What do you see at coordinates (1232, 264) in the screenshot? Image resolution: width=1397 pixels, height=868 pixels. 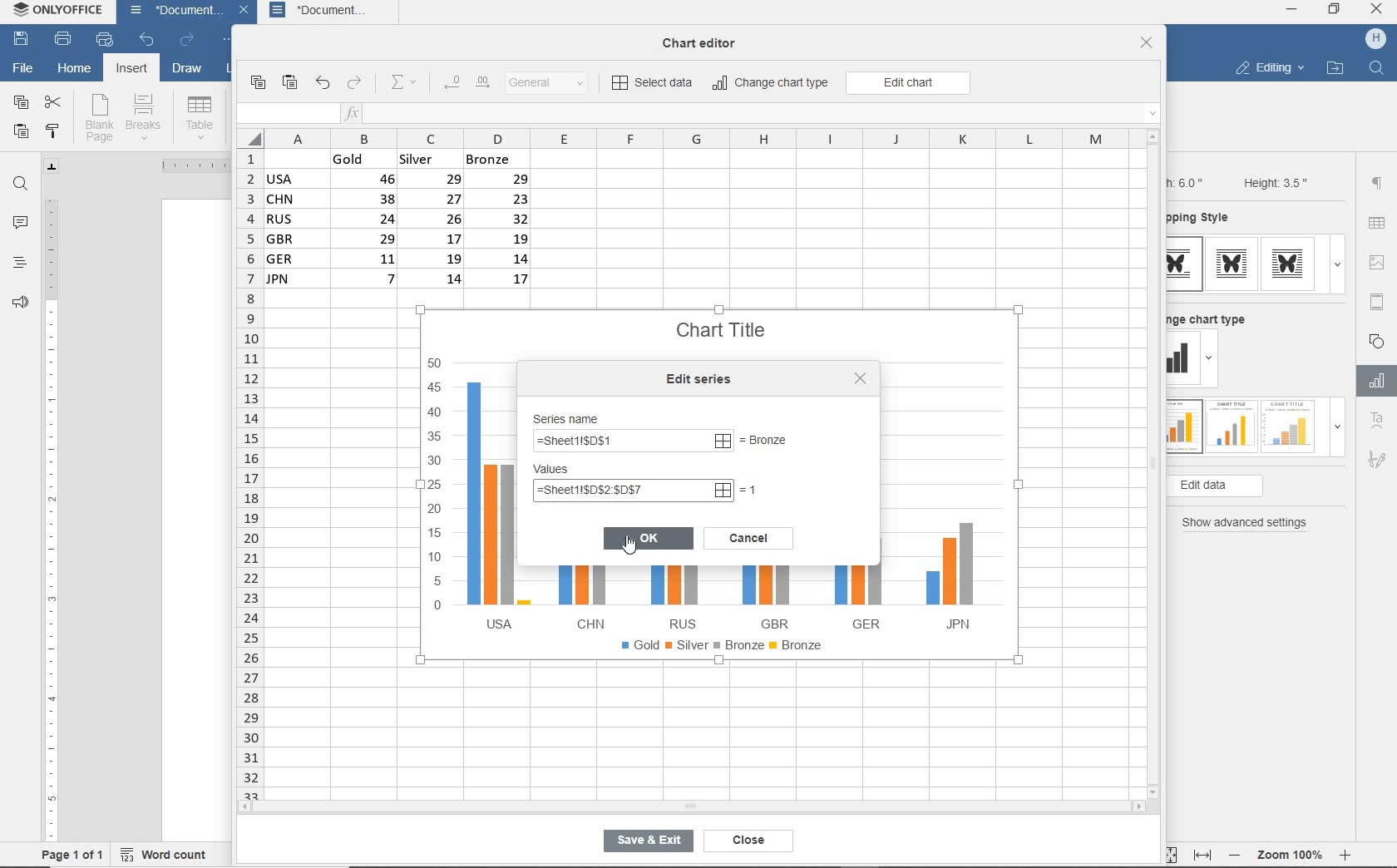 I see `type 2` at bounding box center [1232, 264].